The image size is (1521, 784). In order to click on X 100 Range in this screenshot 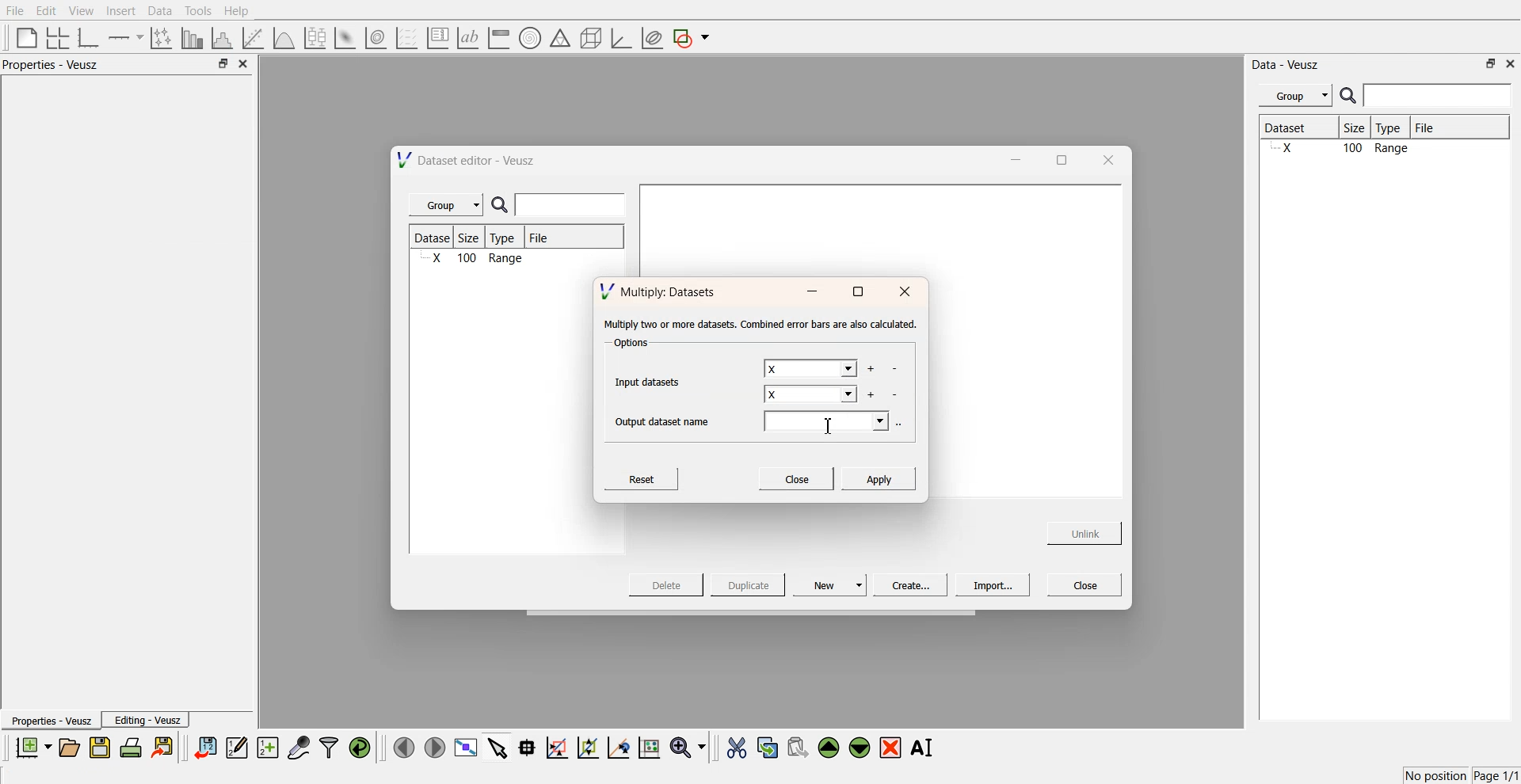, I will do `click(475, 260)`.